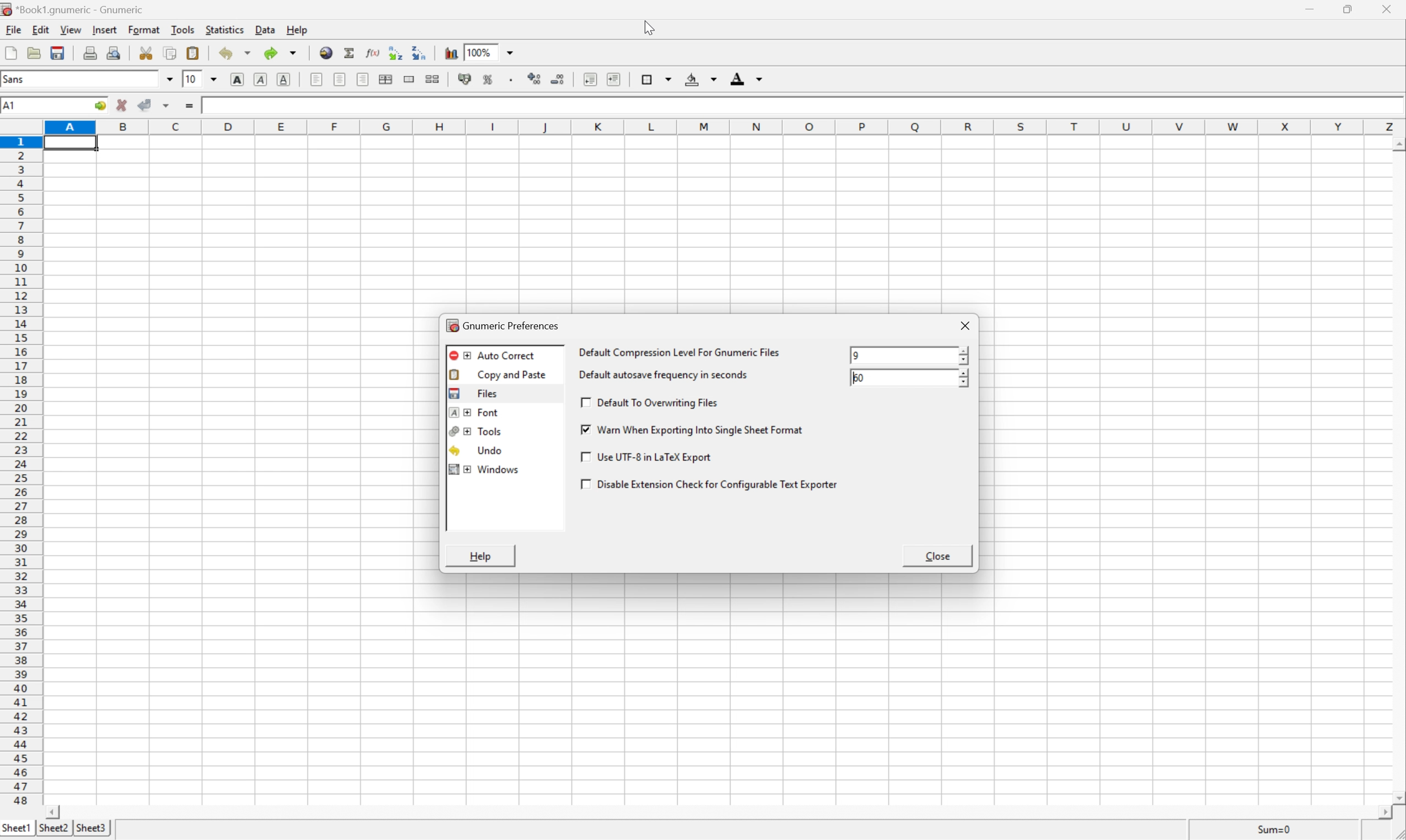  I want to click on auto correct, so click(492, 357).